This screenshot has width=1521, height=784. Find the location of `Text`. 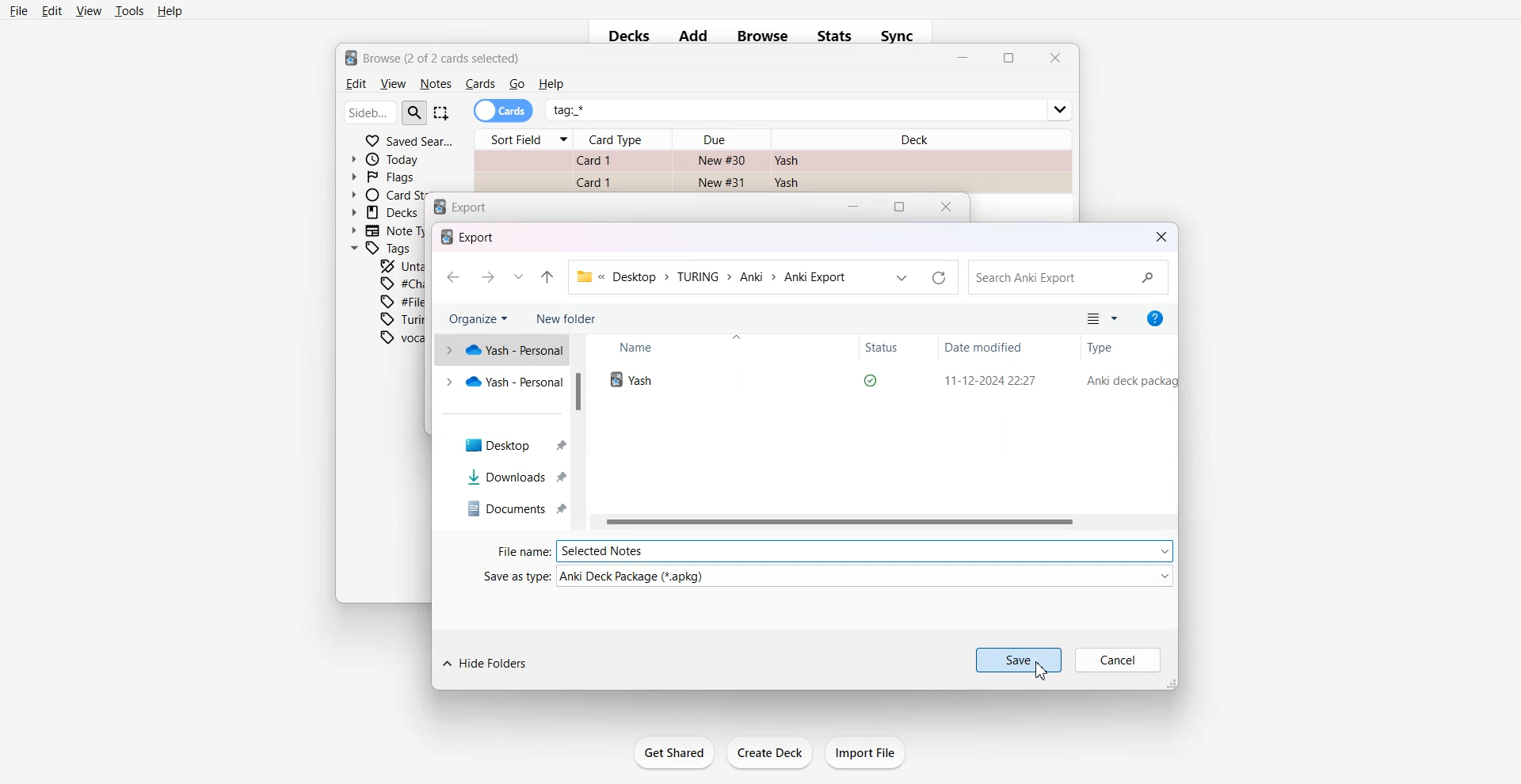

Text is located at coordinates (465, 207).